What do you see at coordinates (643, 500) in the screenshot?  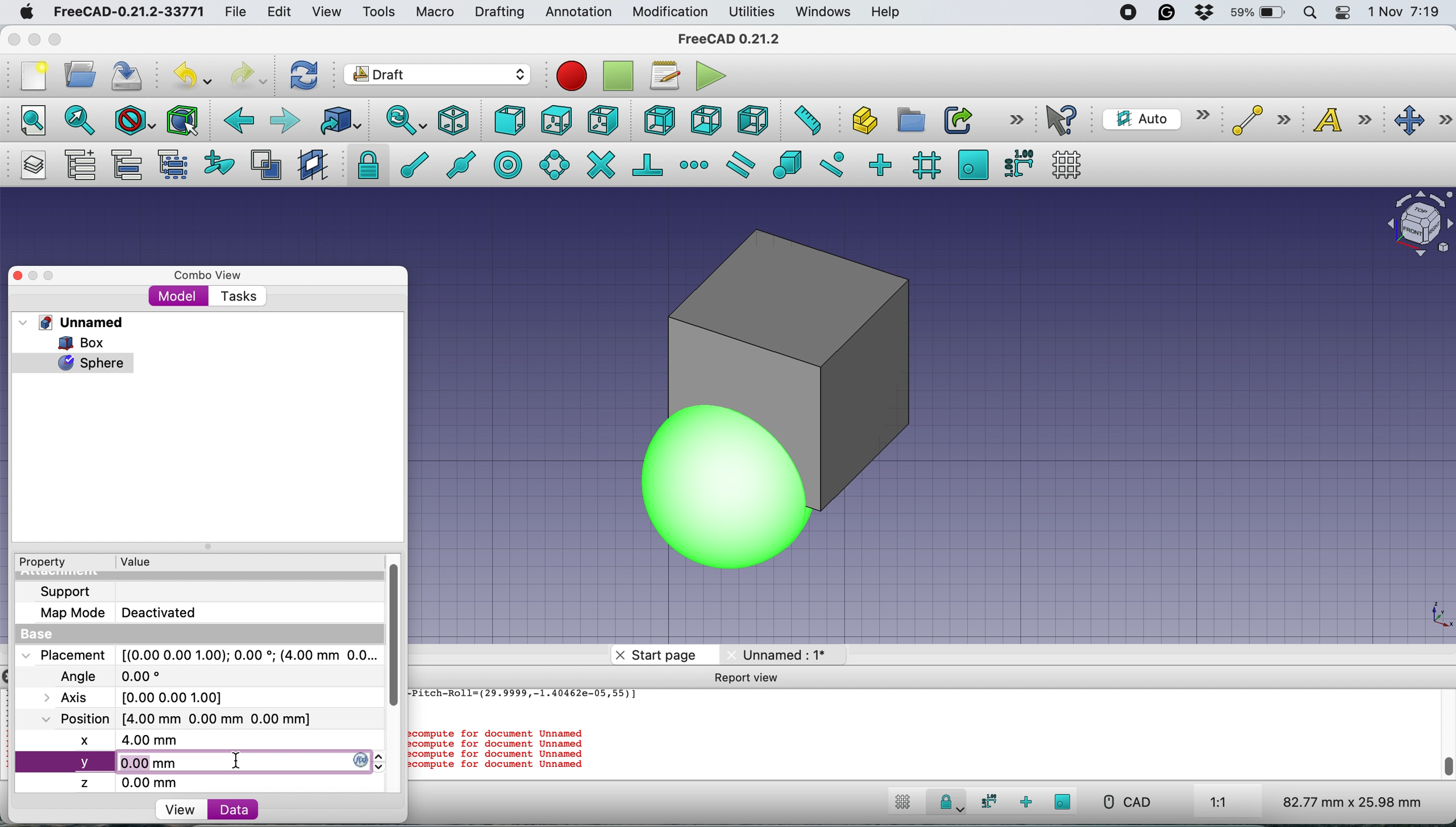 I see `sphere` at bounding box center [643, 500].